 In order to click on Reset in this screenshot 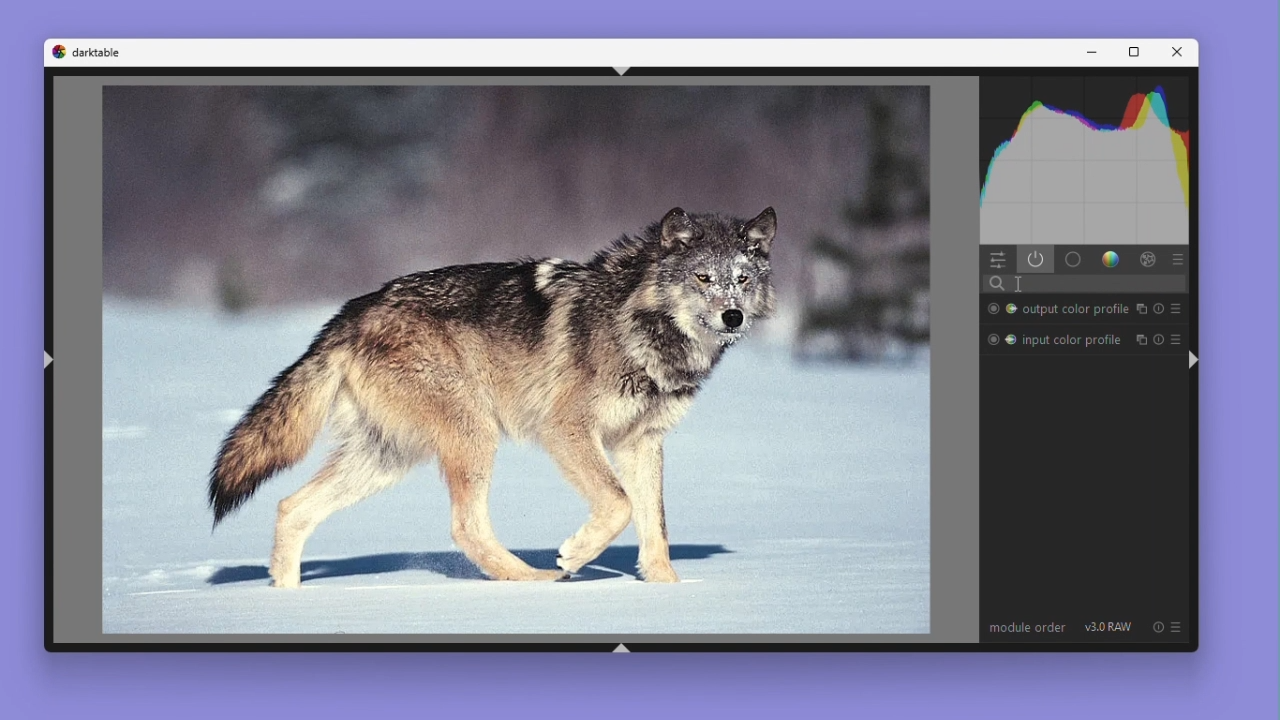, I will do `click(1156, 627)`.